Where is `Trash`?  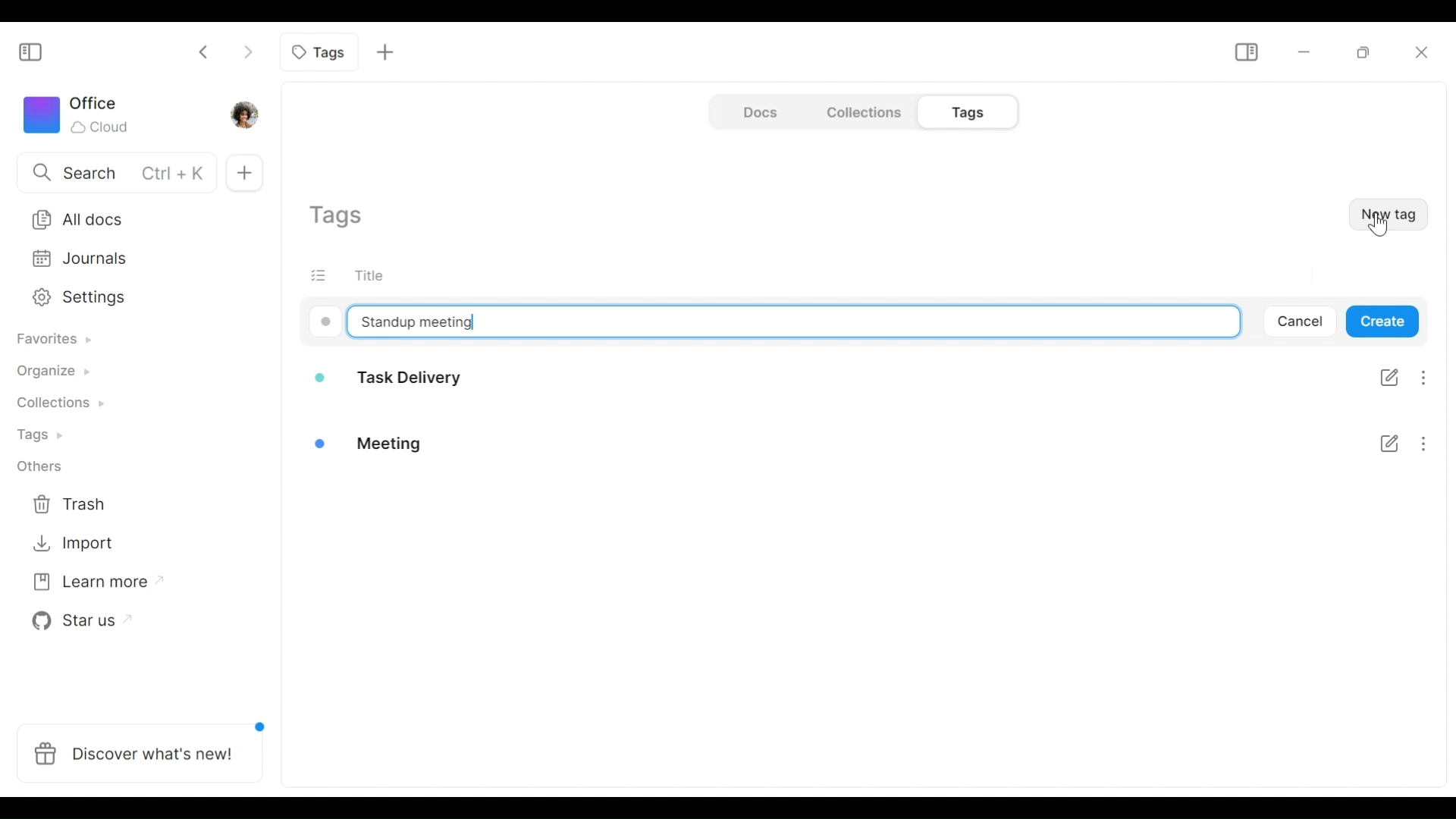 Trash is located at coordinates (80, 504).